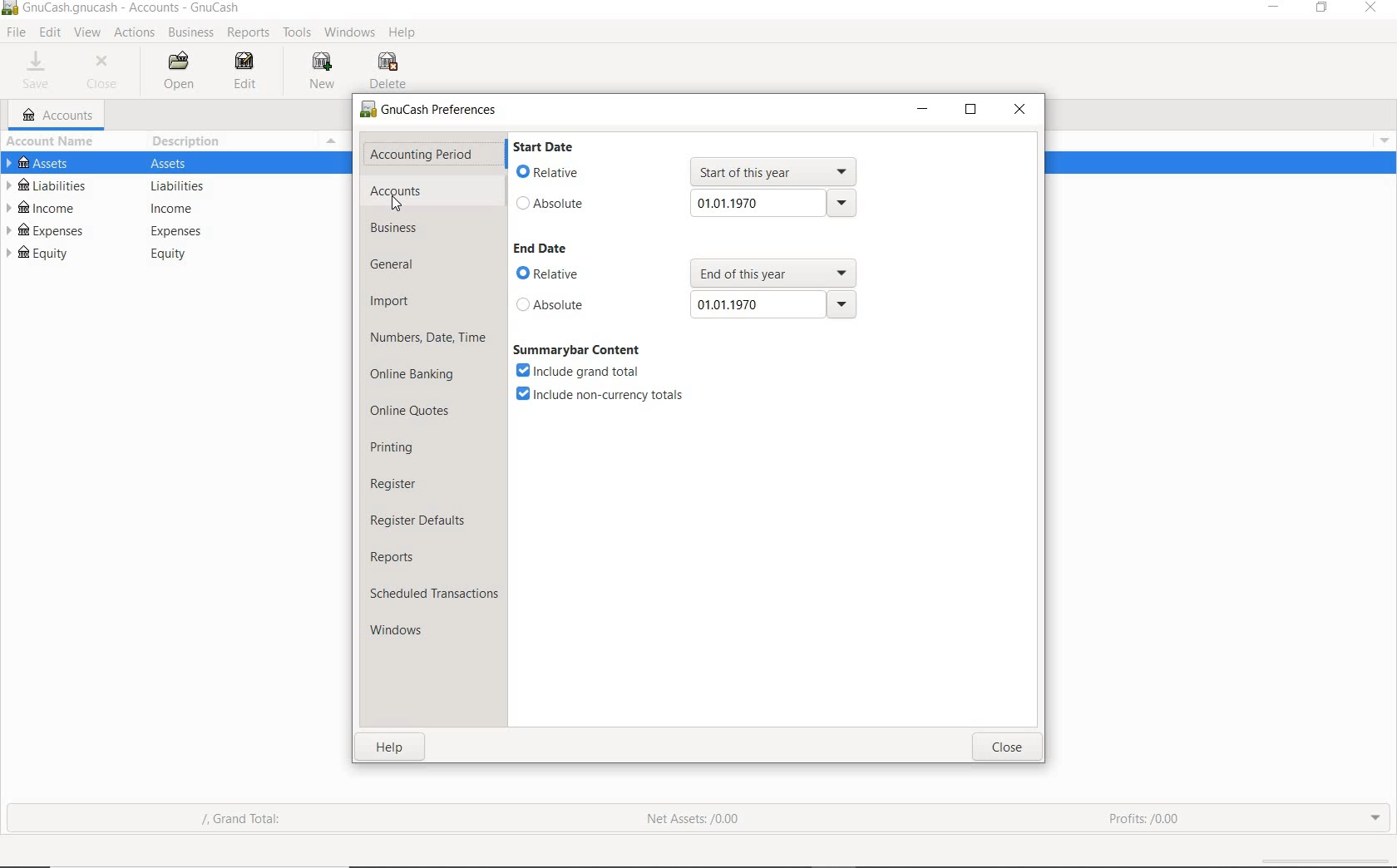 This screenshot has height=868, width=1397. I want to click on accounting period, so click(422, 154).